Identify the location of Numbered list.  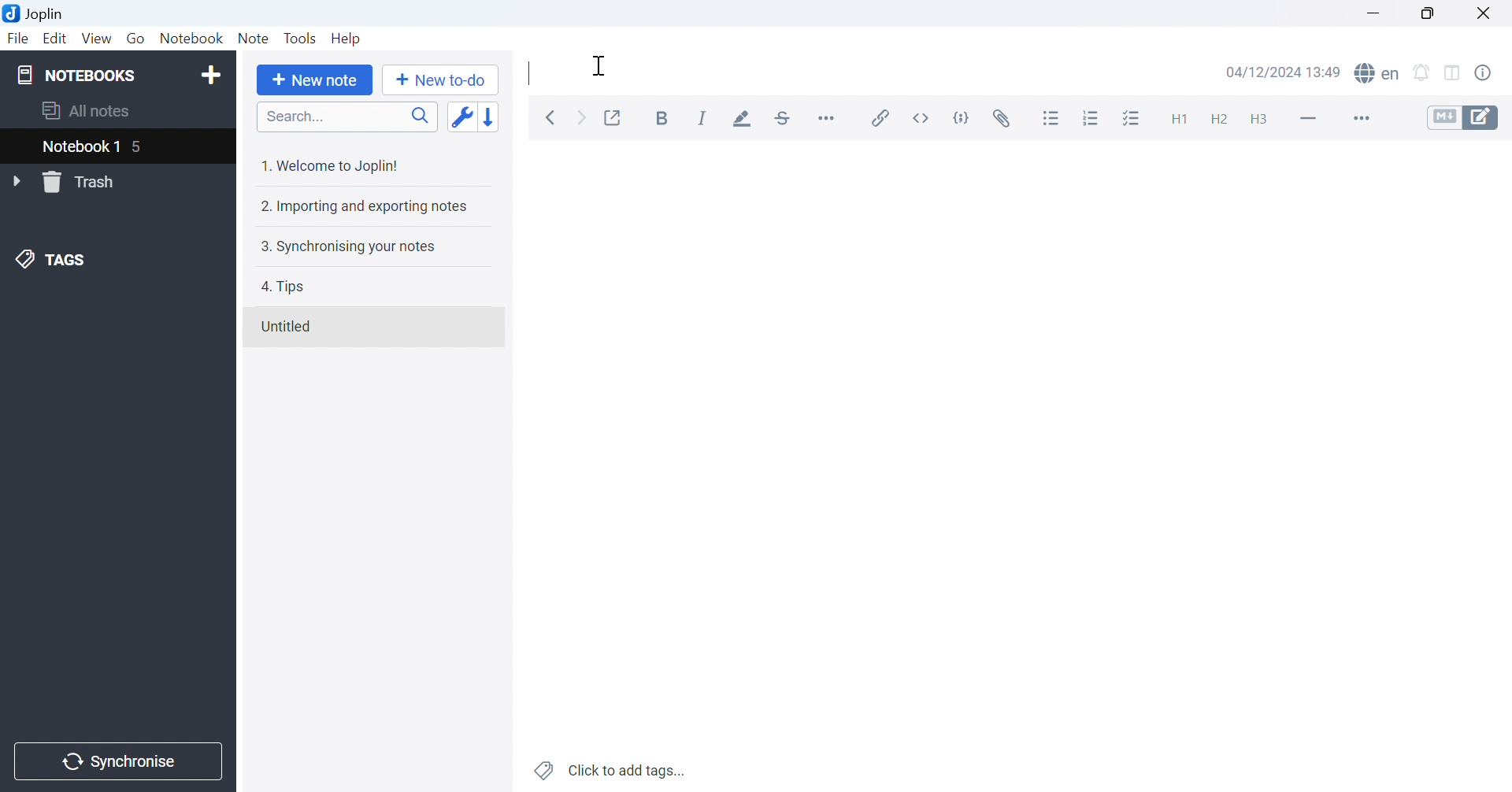
(1093, 117).